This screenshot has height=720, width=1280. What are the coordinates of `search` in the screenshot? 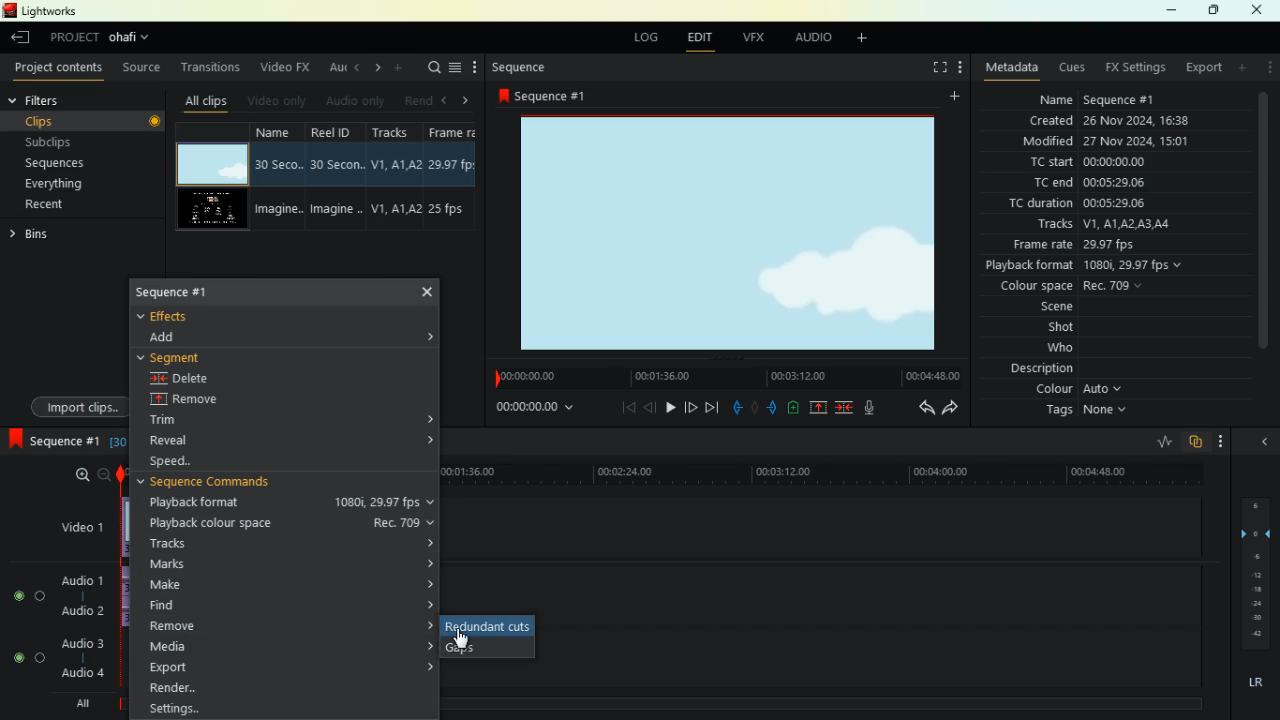 It's located at (434, 69).